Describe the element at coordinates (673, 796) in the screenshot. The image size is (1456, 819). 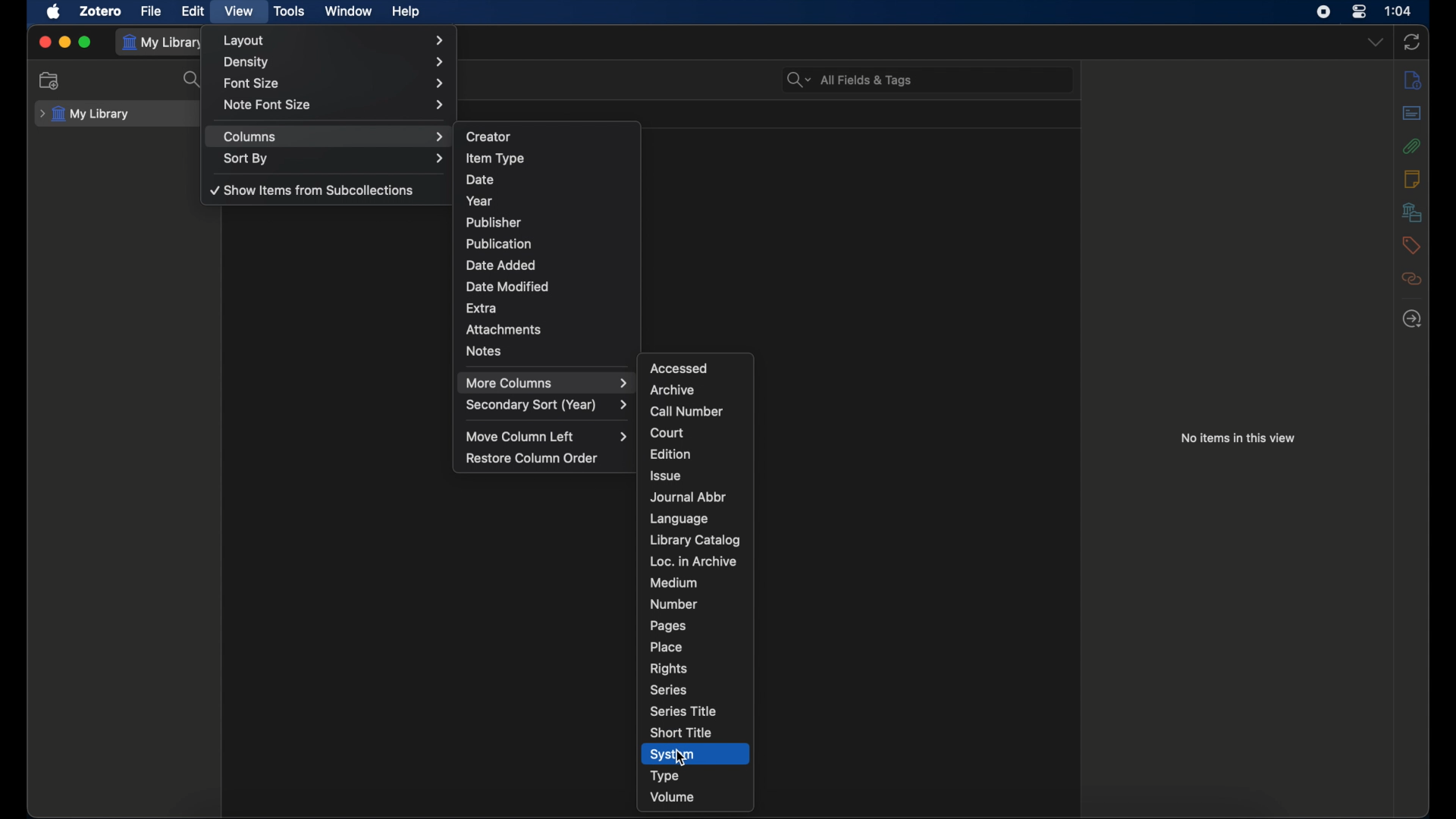
I see `volume` at that location.